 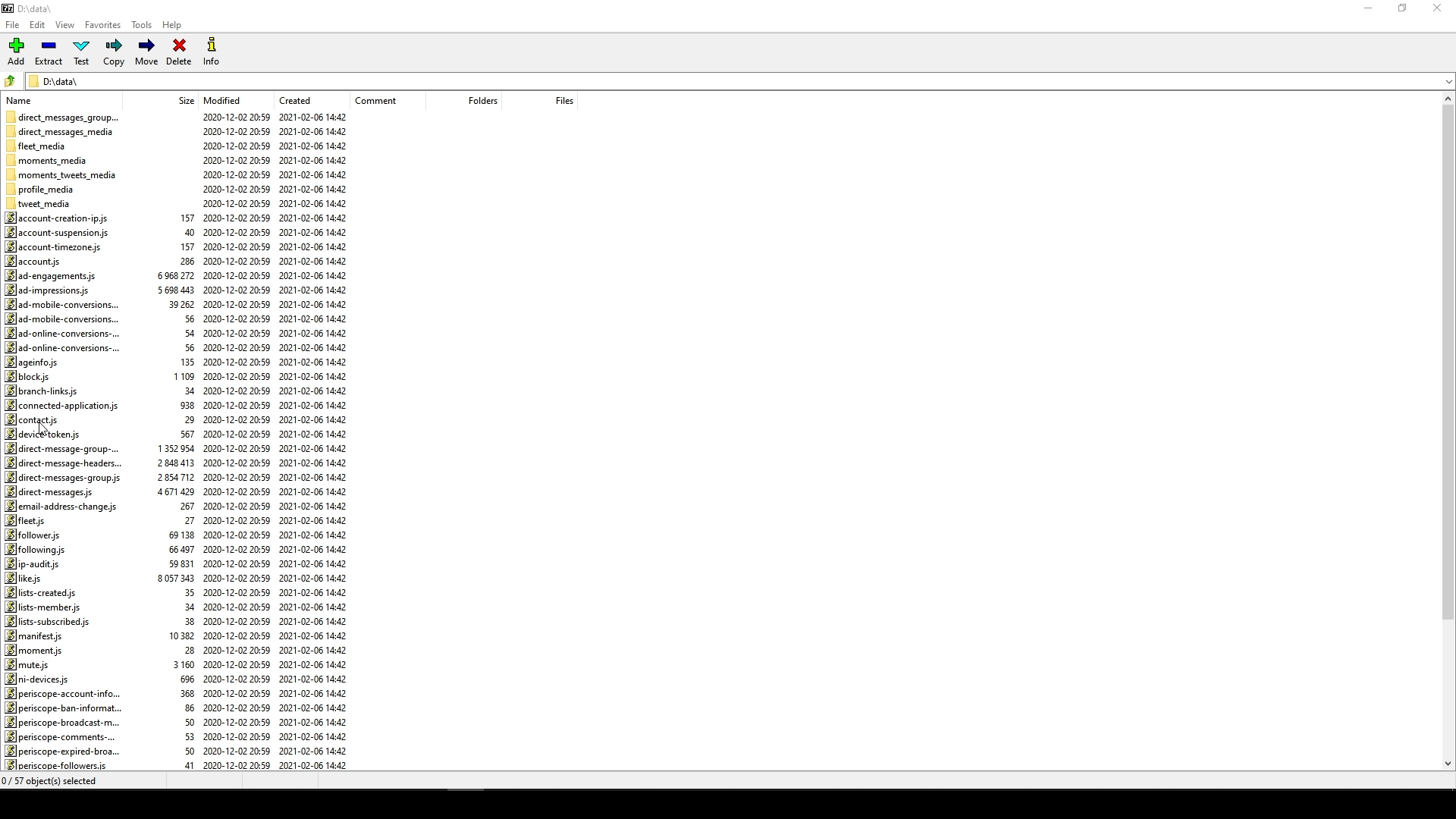 What do you see at coordinates (148, 52) in the screenshot?
I see `Move` at bounding box center [148, 52].